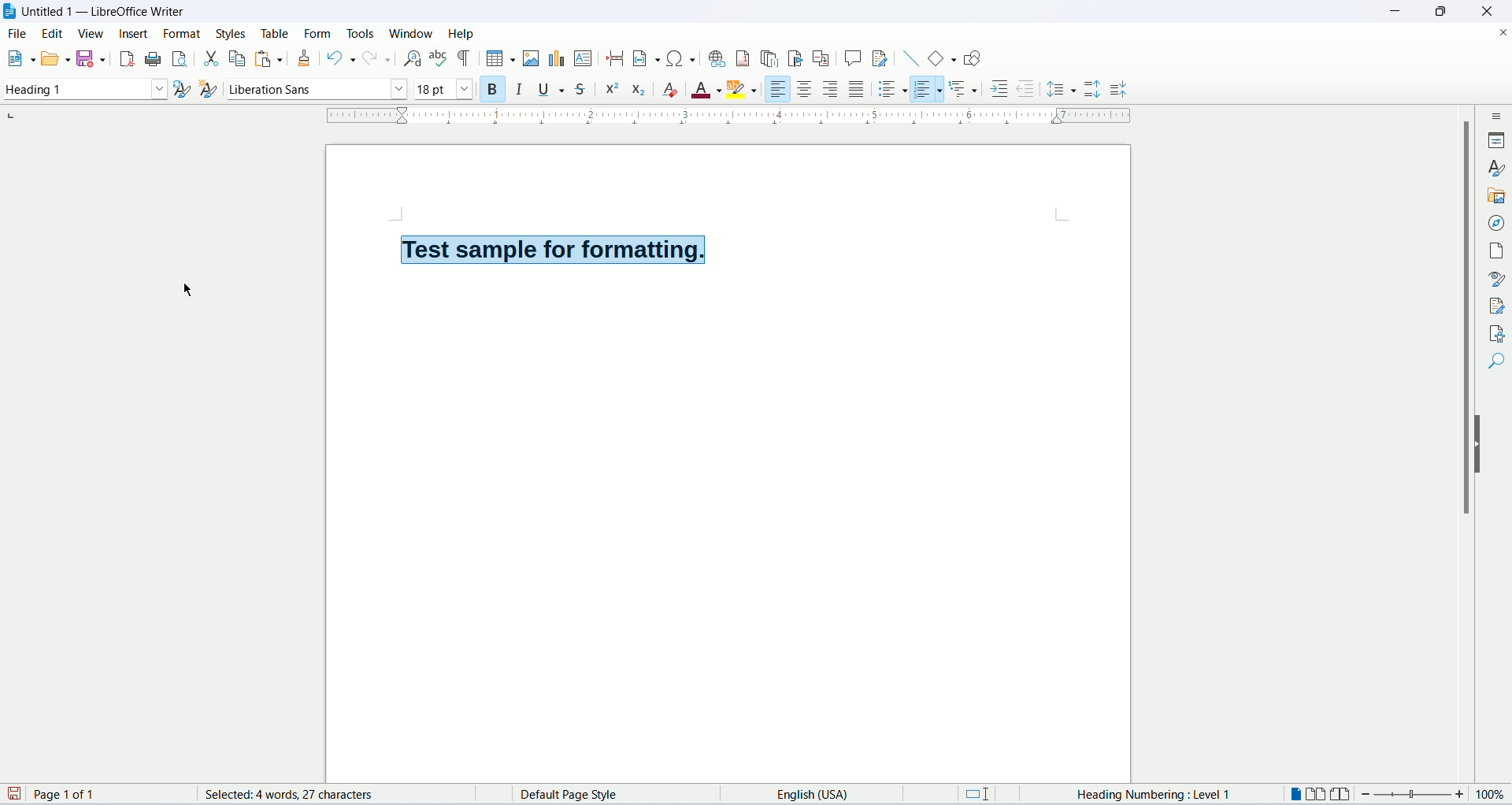 The width and height of the screenshot is (1512, 805). What do you see at coordinates (1498, 198) in the screenshot?
I see `gallery` at bounding box center [1498, 198].